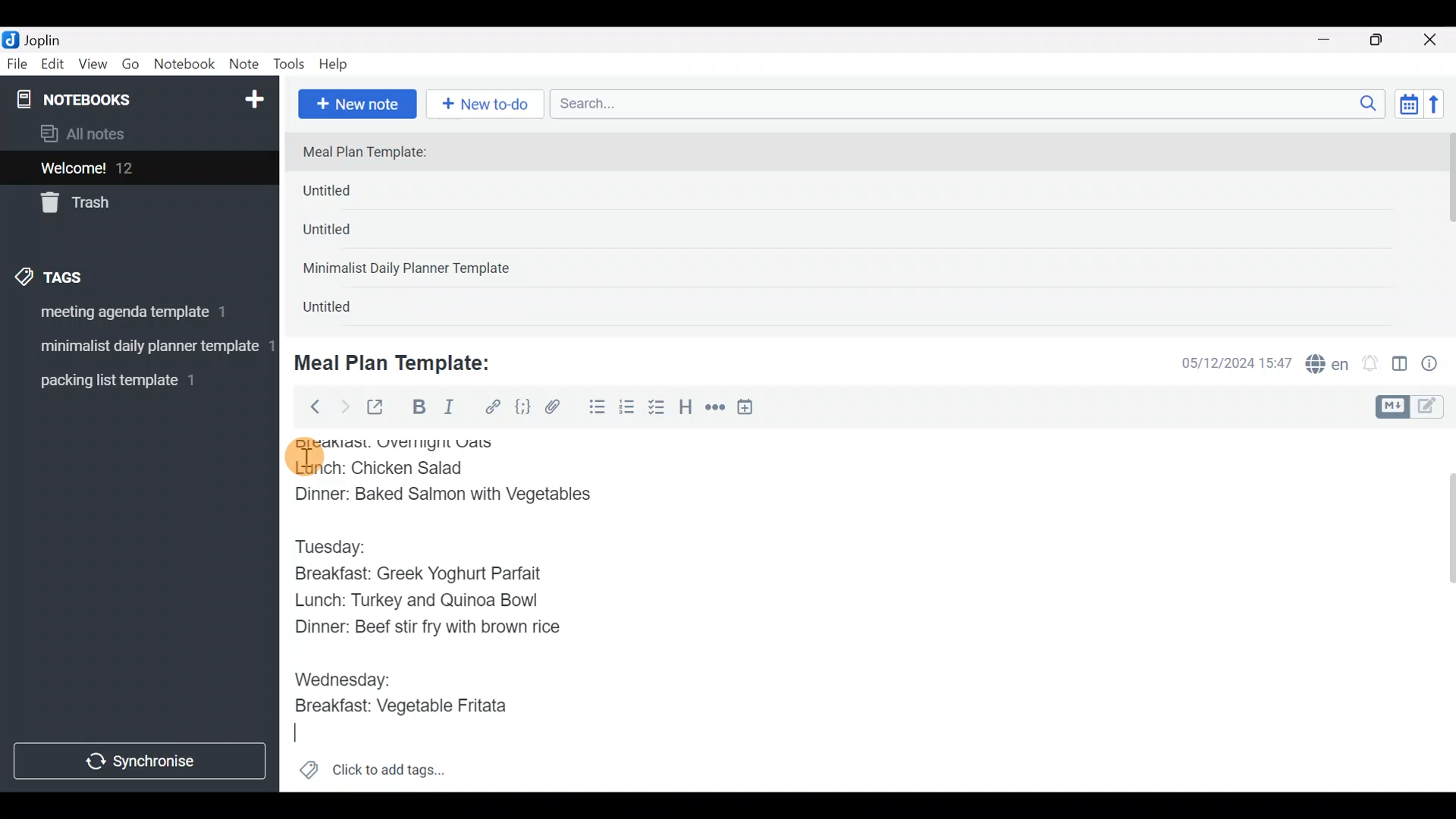  What do you see at coordinates (107, 99) in the screenshot?
I see `Notebooks` at bounding box center [107, 99].